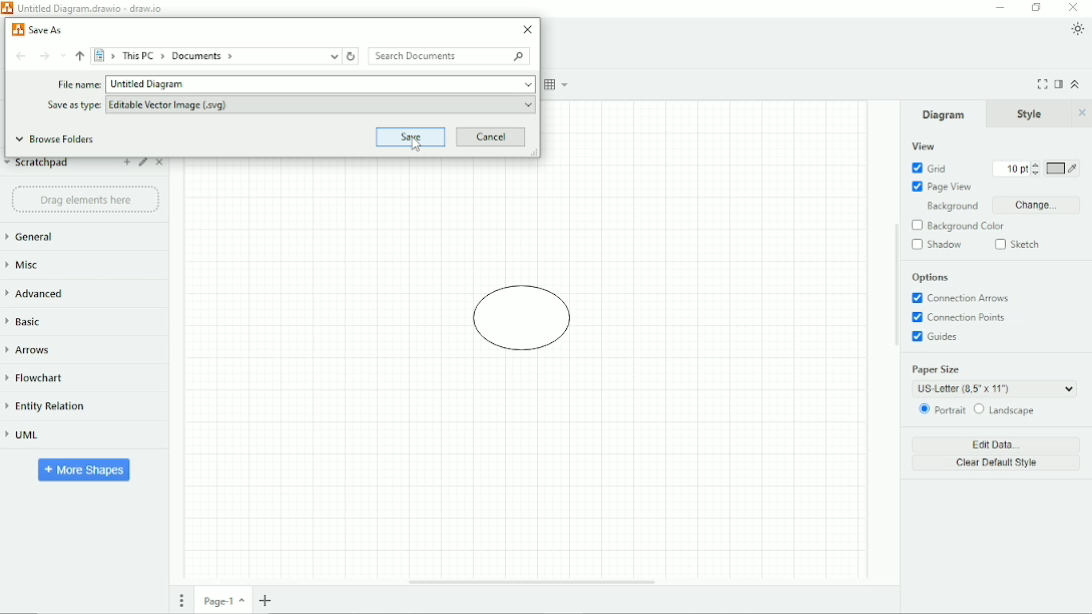 This screenshot has height=614, width=1092. What do you see at coordinates (936, 337) in the screenshot?
I see `Guides` at bounding box center [936, 337].